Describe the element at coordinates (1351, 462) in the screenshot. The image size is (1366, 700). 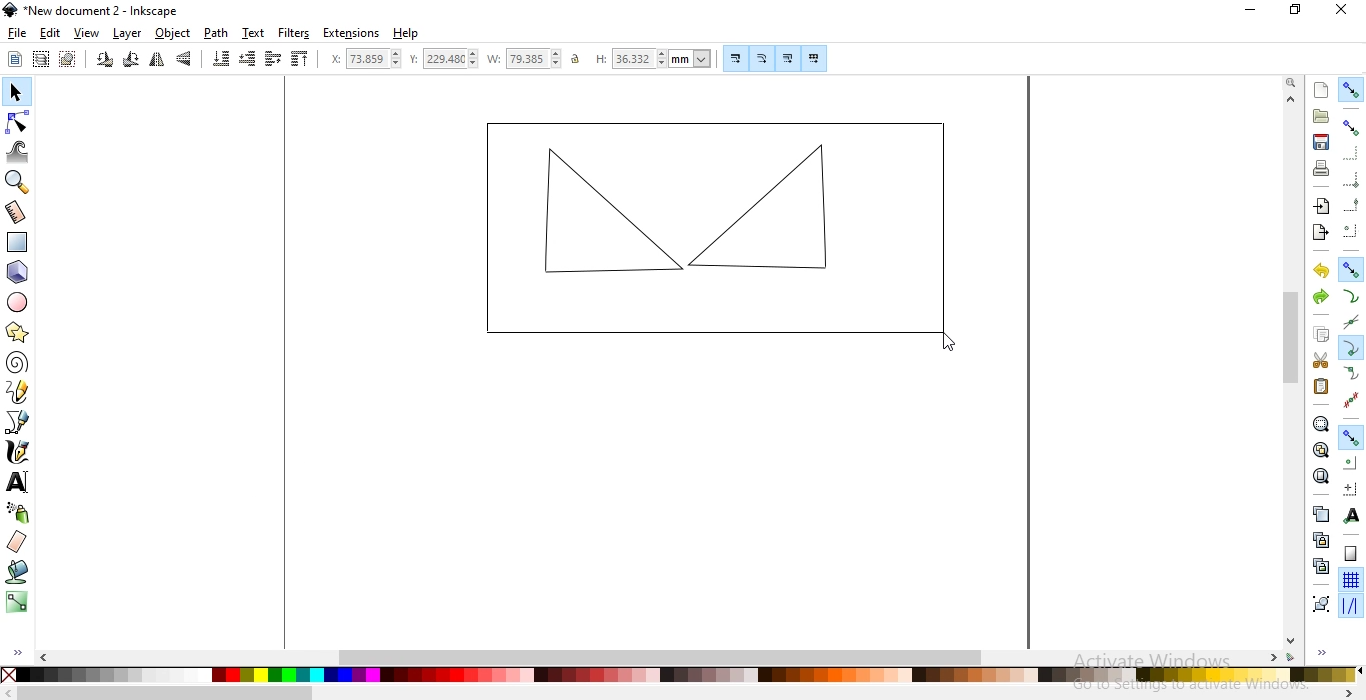
I see `snap centers of objects` at that location.